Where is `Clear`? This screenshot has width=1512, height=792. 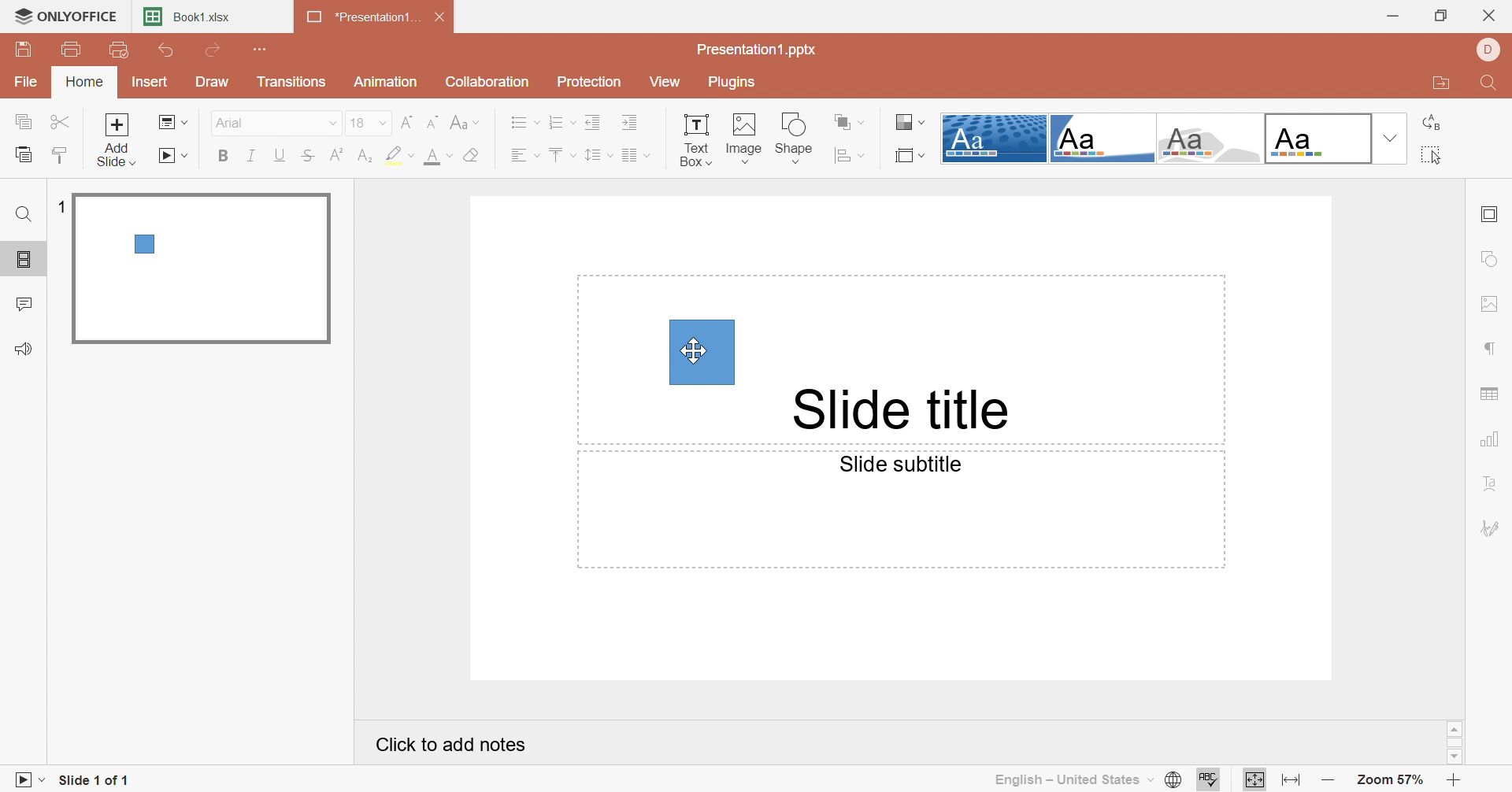
Clear is located at coordinates (476, 154).